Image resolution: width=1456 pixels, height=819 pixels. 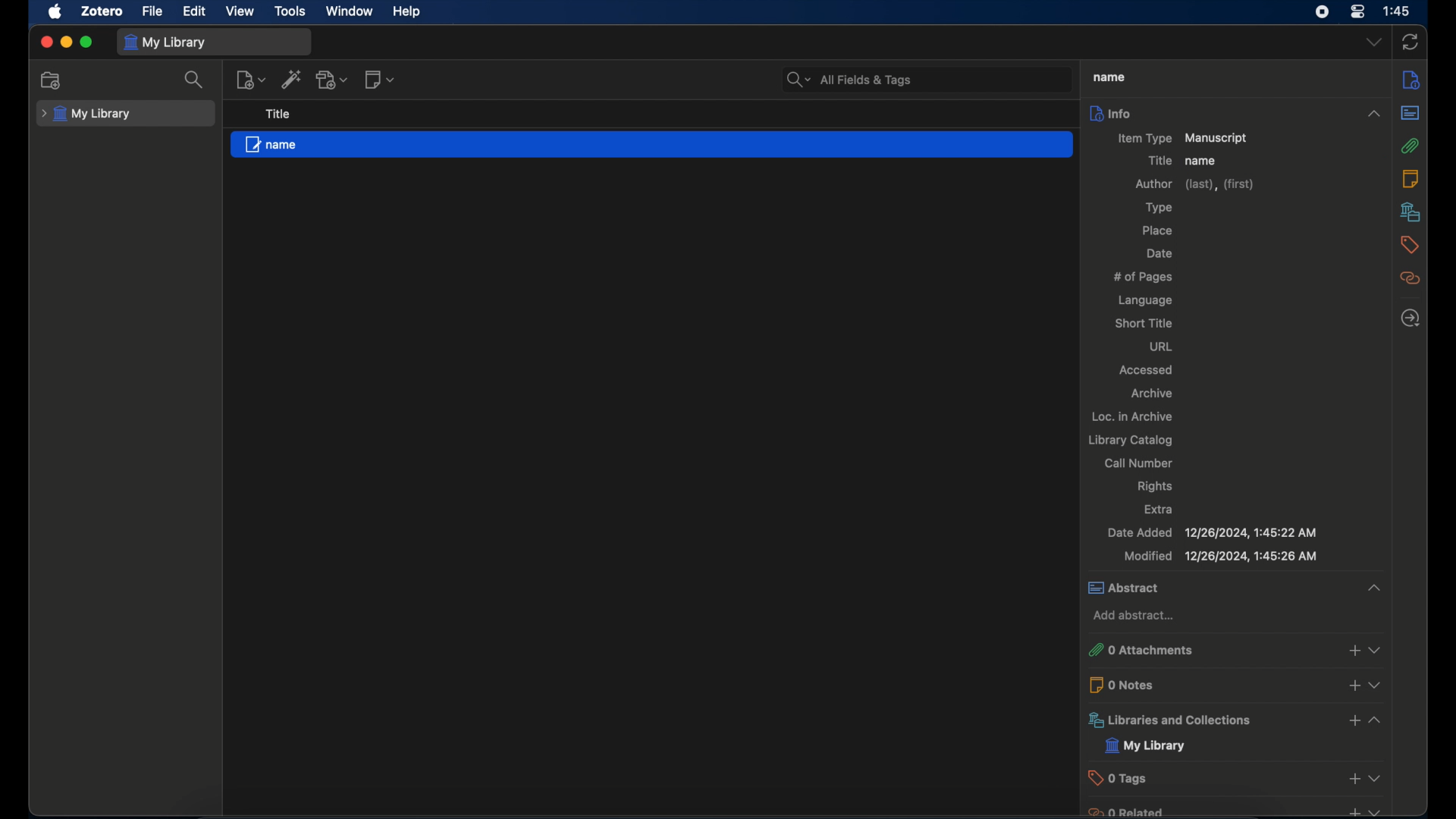 I want to click on 1:45, so click(x=1398, y=11).